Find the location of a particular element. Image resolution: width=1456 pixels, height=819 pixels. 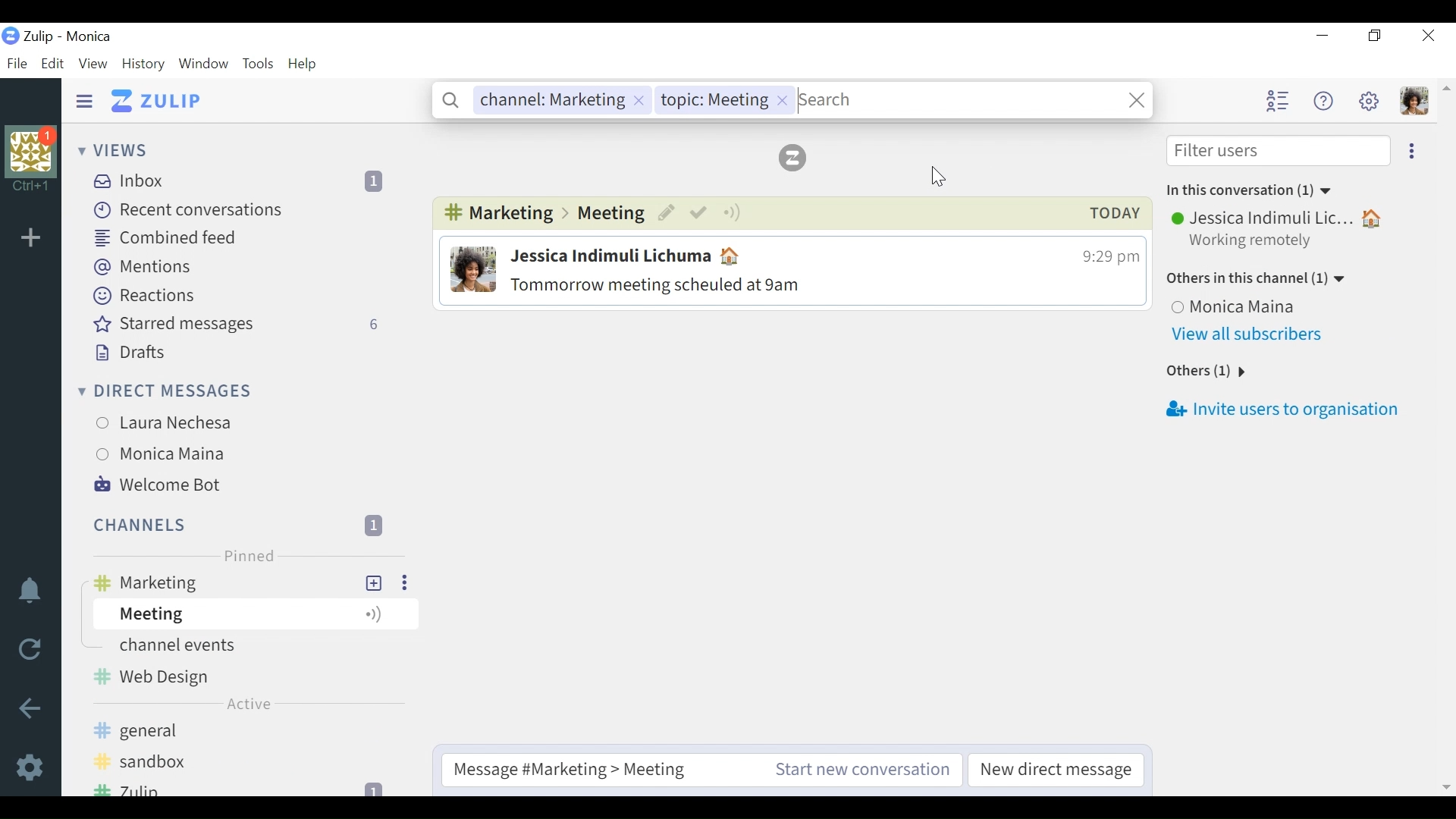

Search bar is located at coordinates (454, 100).